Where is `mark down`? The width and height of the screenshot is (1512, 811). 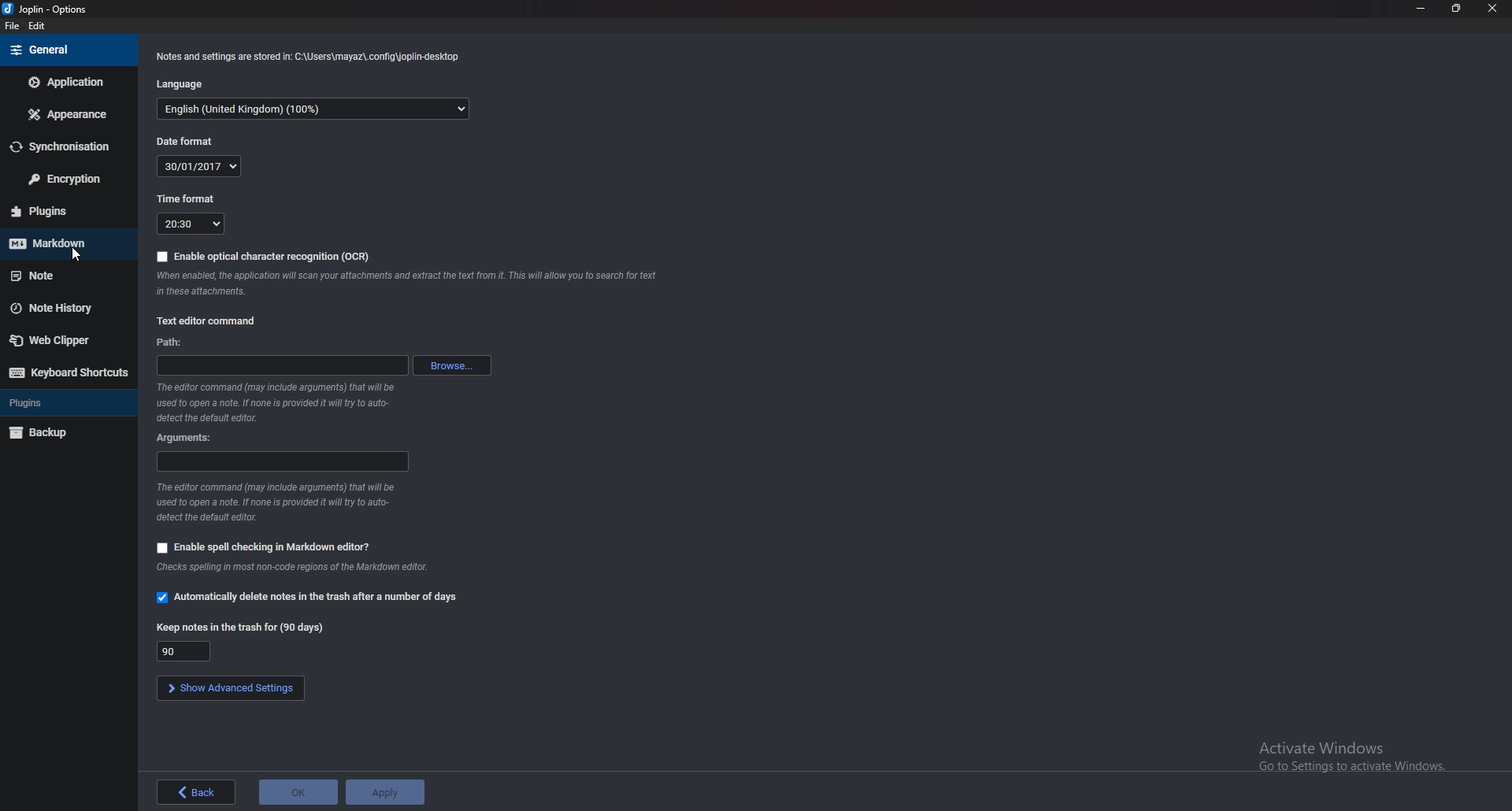 mark down is located at coordinates (61, 243).